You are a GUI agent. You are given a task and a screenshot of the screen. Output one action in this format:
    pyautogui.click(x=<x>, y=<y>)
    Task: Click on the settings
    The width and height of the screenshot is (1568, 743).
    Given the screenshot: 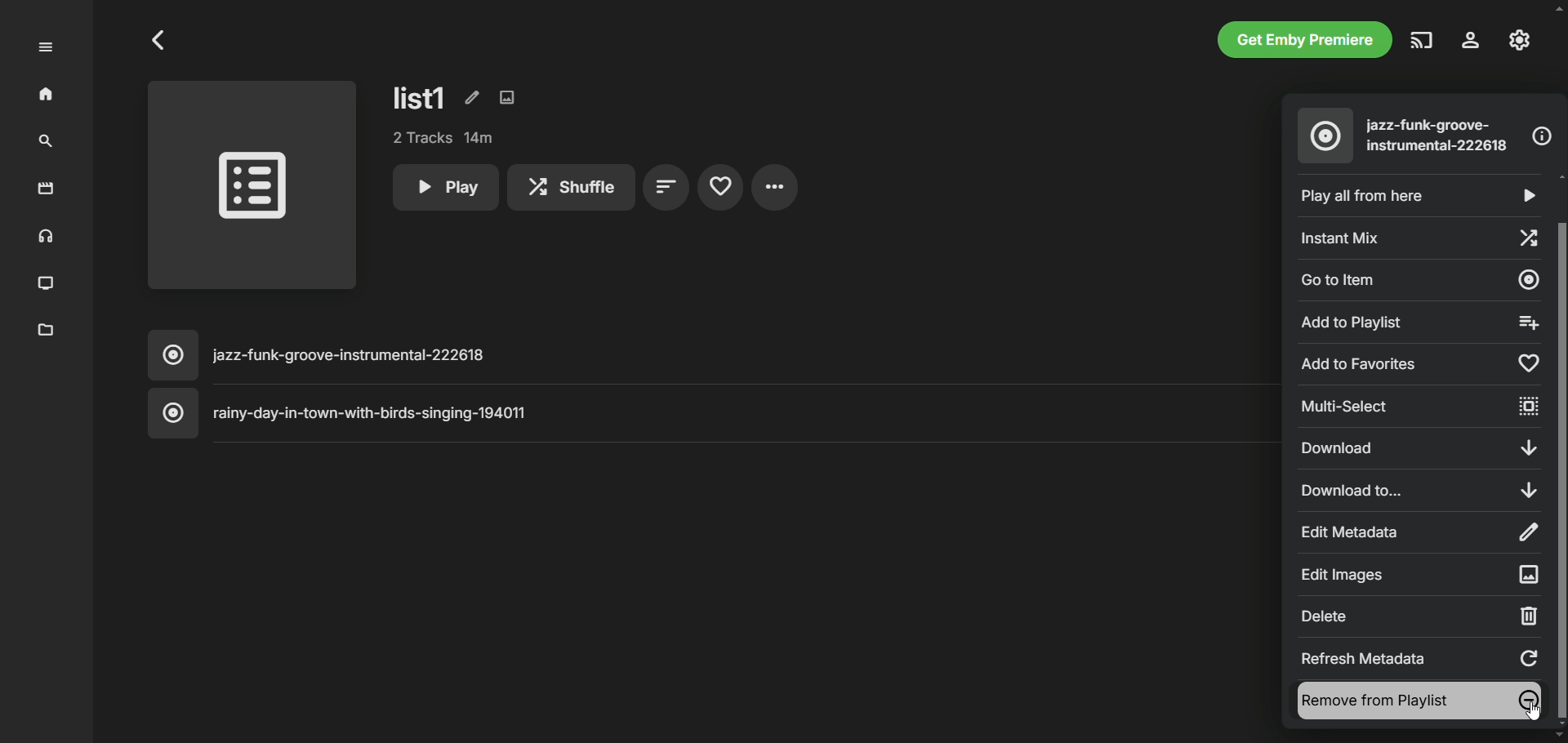 What is the action you would take?
    pyautogui.click(x=775, y=187)
    